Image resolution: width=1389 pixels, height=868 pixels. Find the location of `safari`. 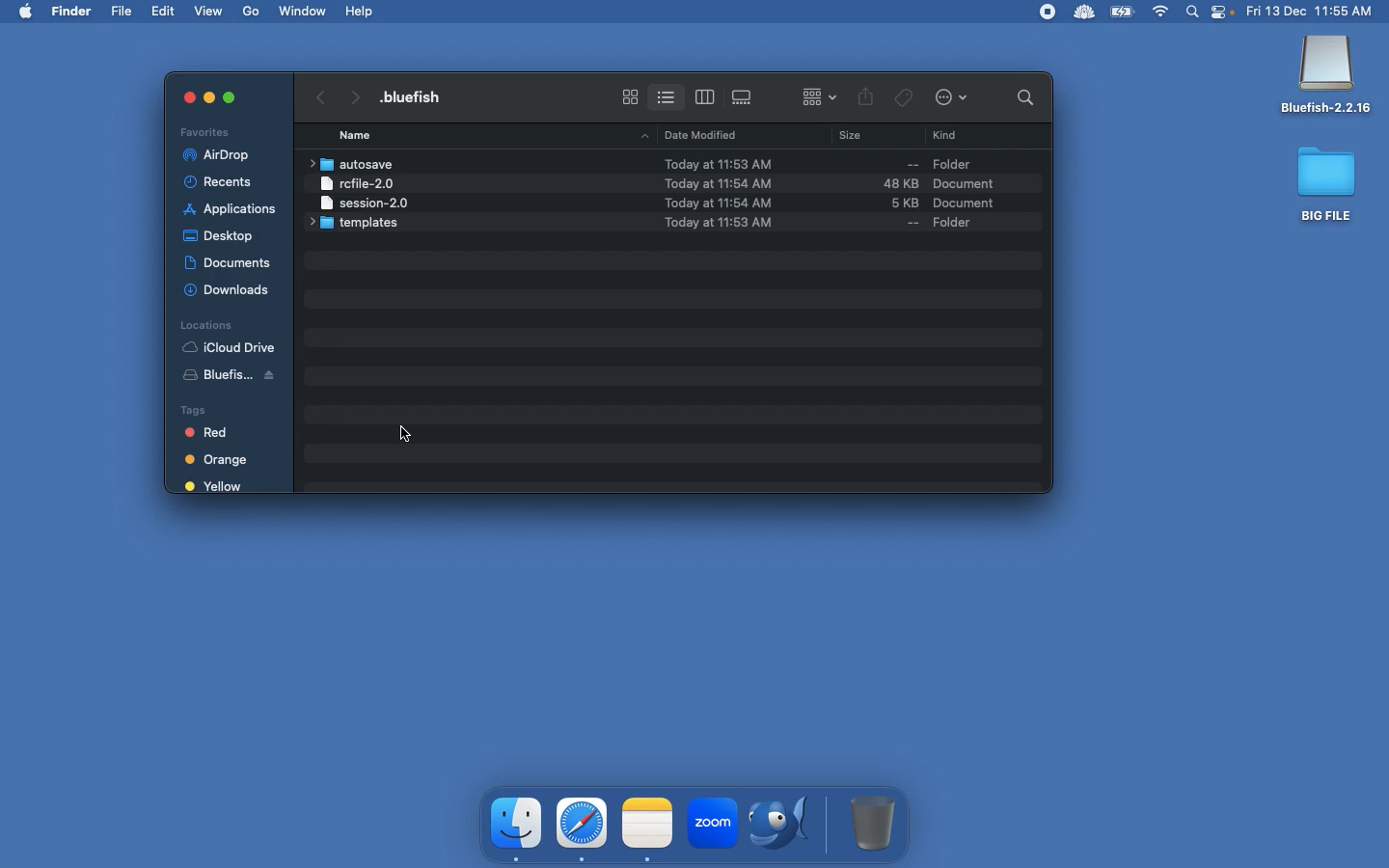

safari is located at coordinates (583, 823).